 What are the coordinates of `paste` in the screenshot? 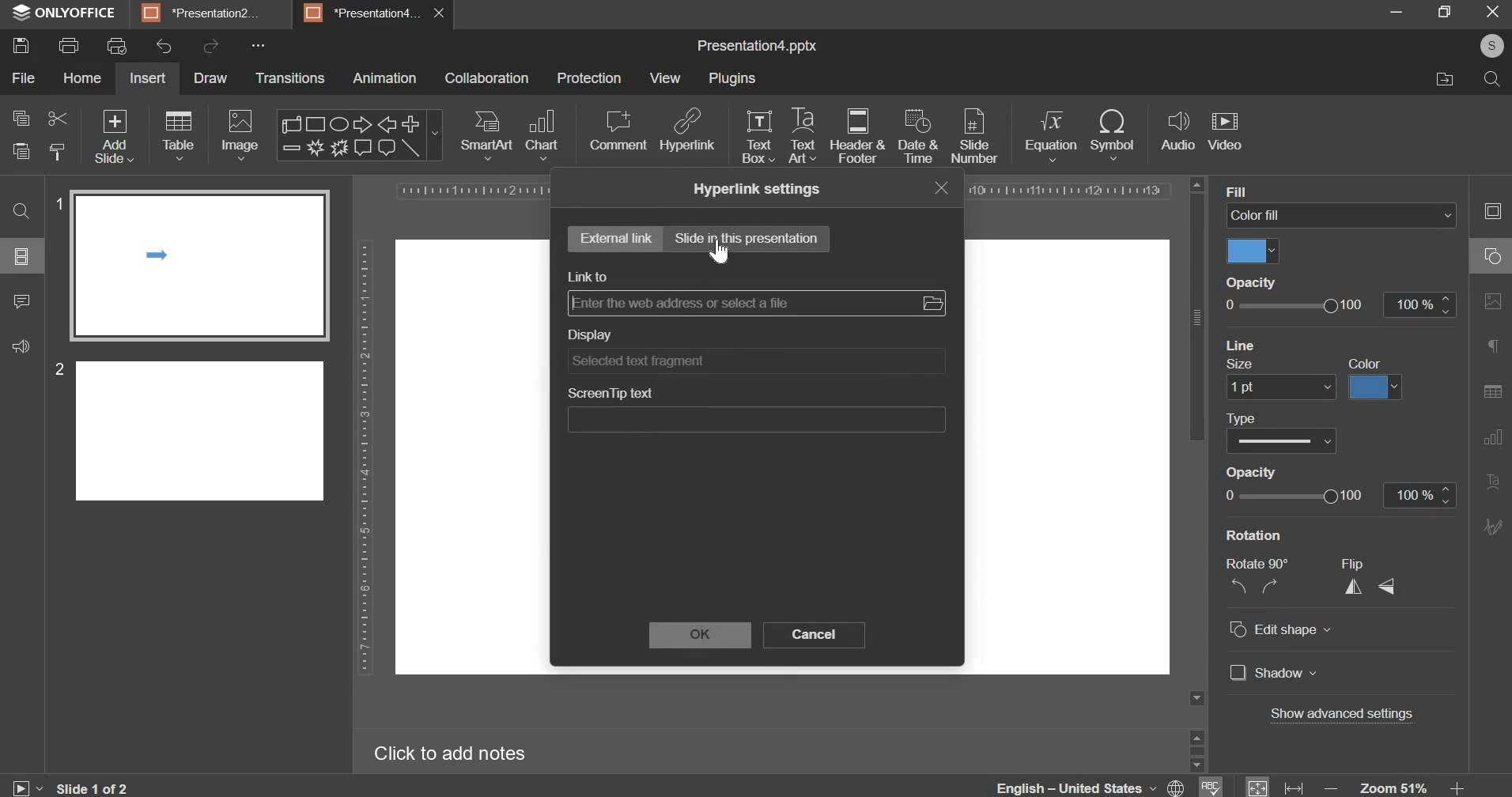 It's located at (19, 151).